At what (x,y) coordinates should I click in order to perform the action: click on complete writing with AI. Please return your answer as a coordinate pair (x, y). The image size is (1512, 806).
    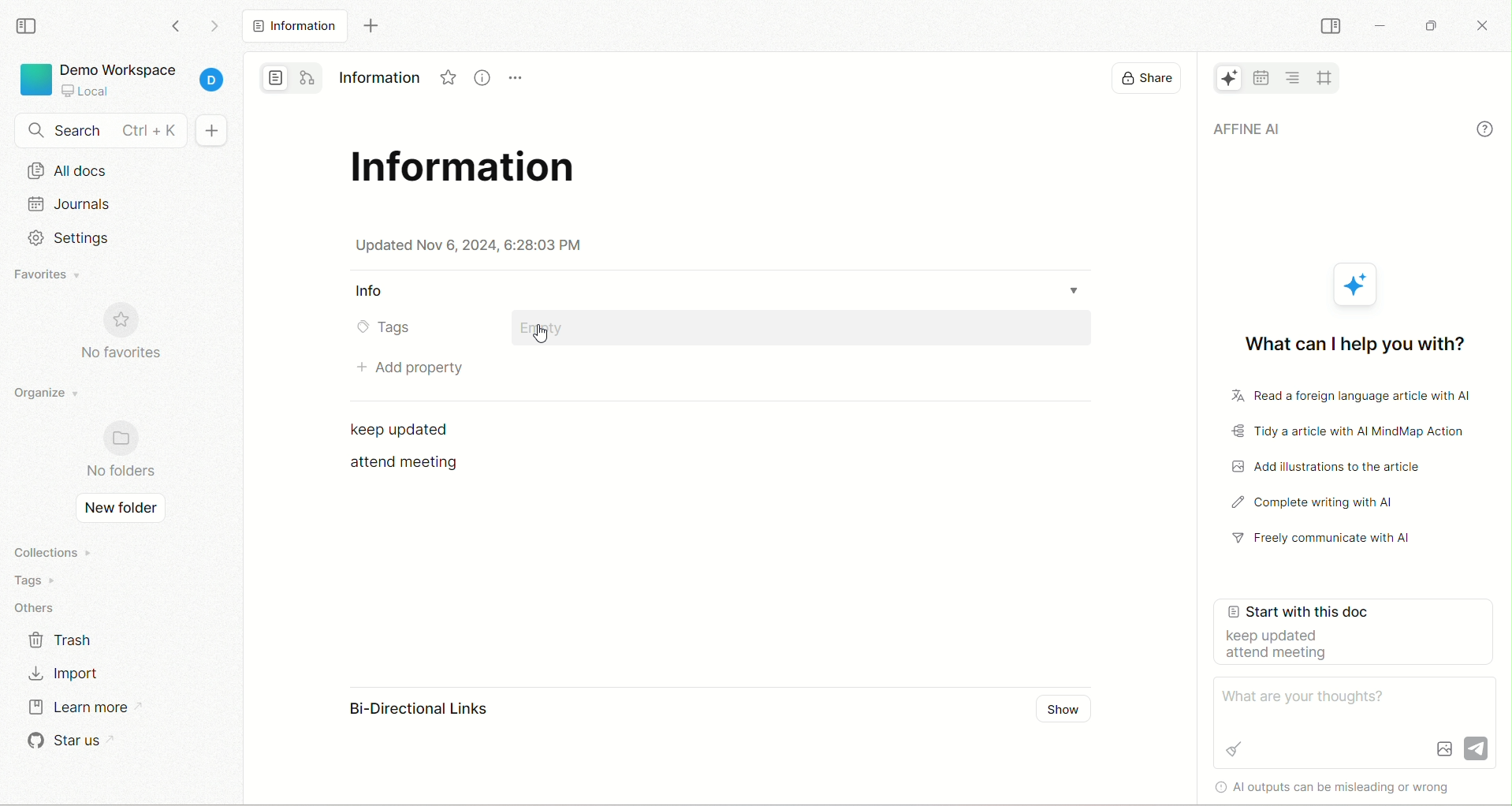
    Looking at the image, I should click on (1331, 502).